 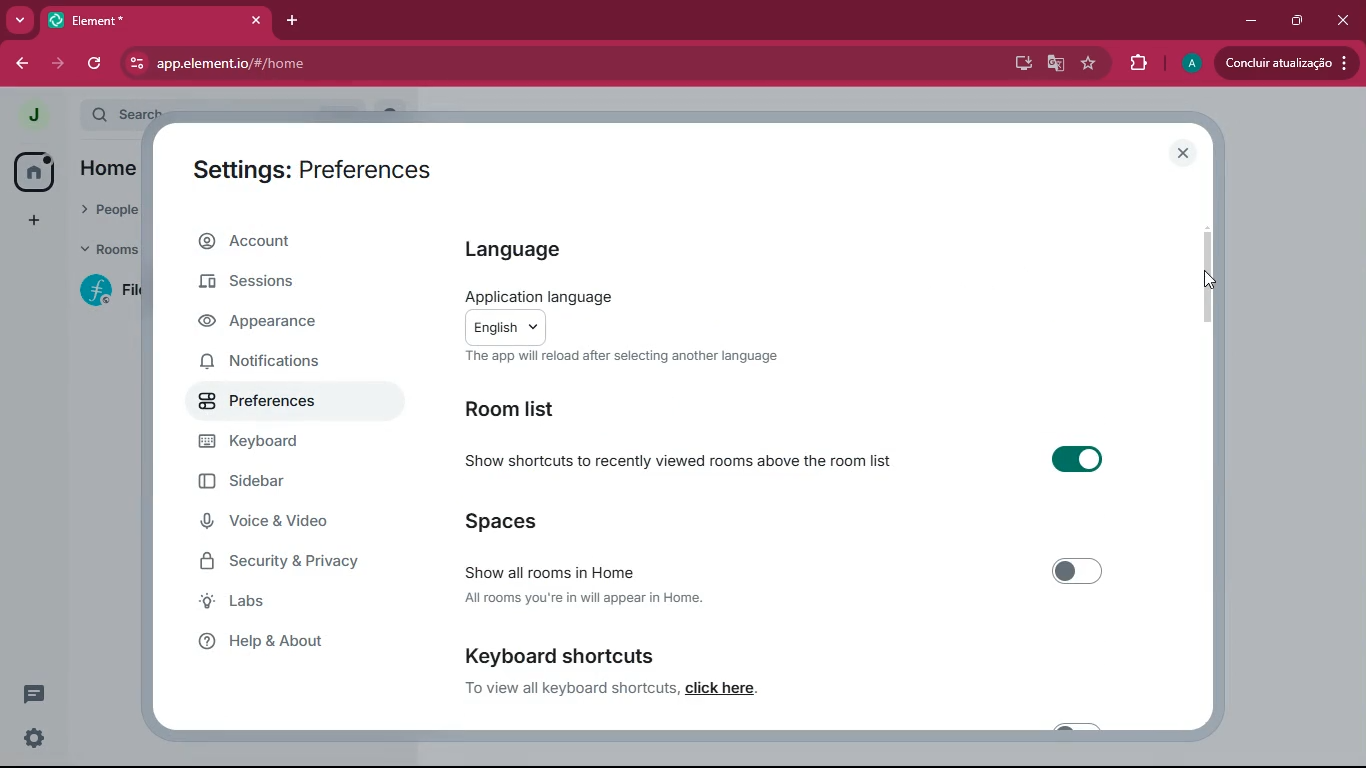 I want to click on profile picture, so click(x=29, y=114).